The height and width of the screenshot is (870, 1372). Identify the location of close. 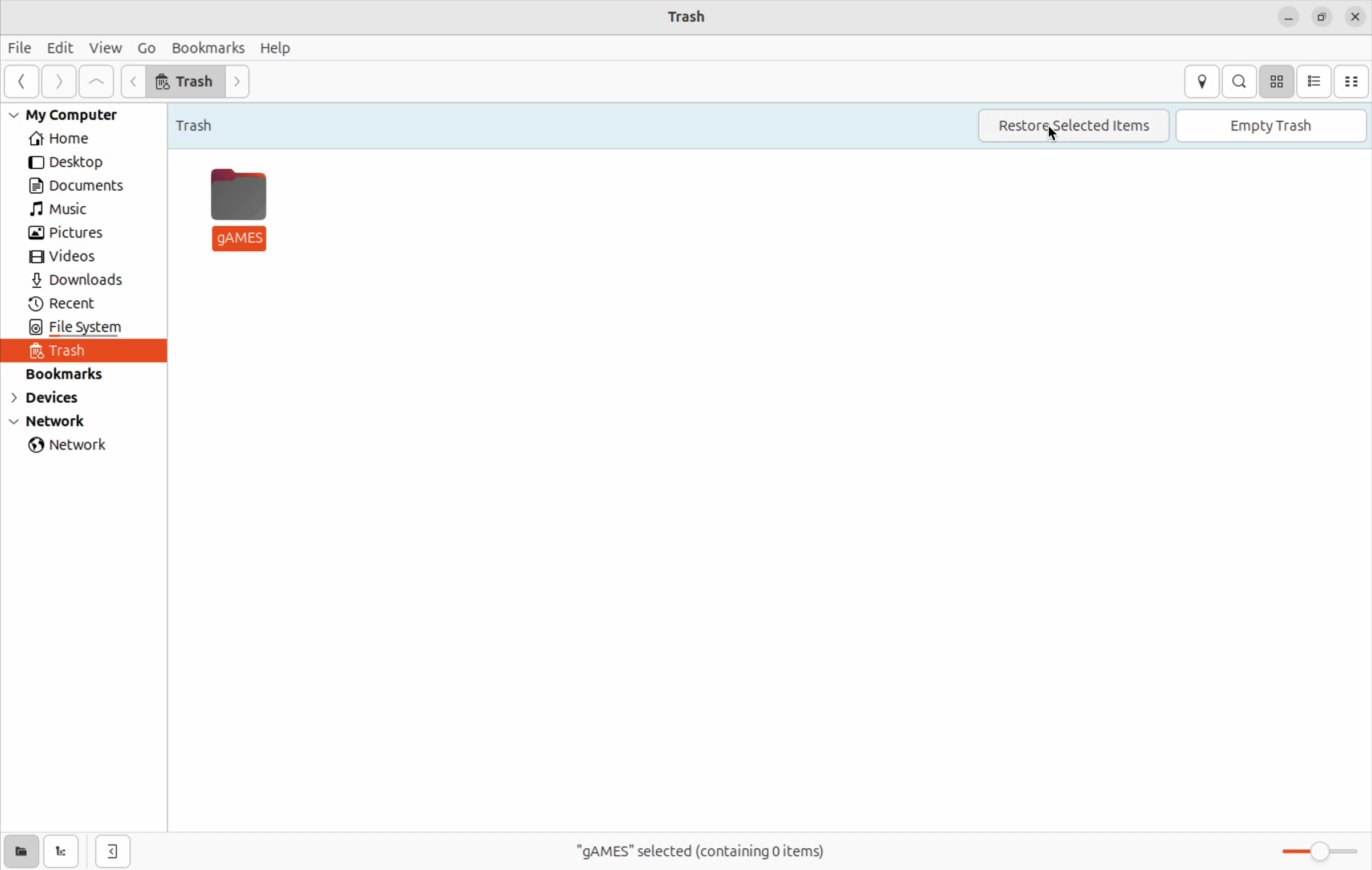
(1355, 18).